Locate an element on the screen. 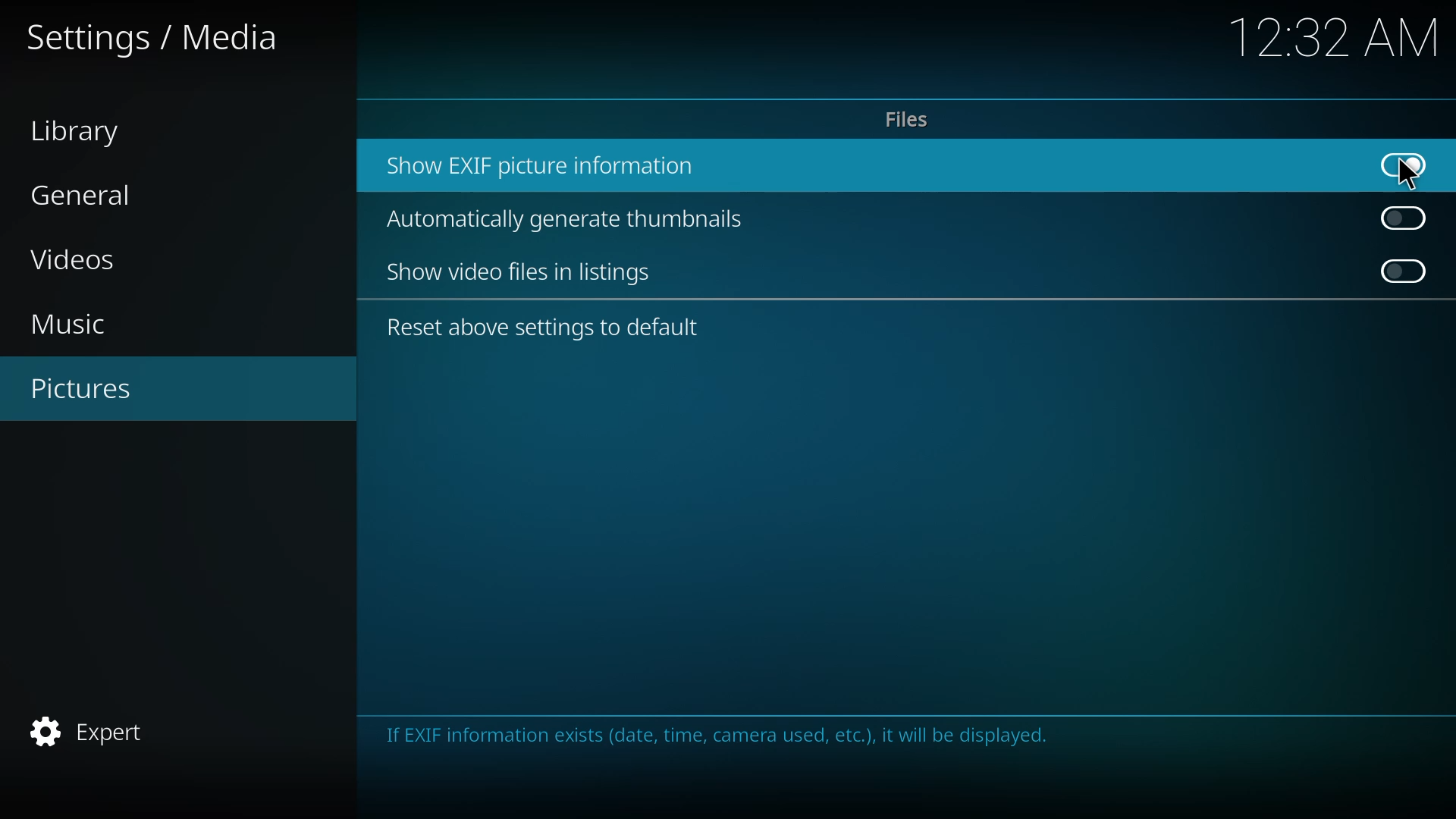 The height and width of the screenshot is (819, 1456). reset above settings to default is located at coordinates (542, 330).